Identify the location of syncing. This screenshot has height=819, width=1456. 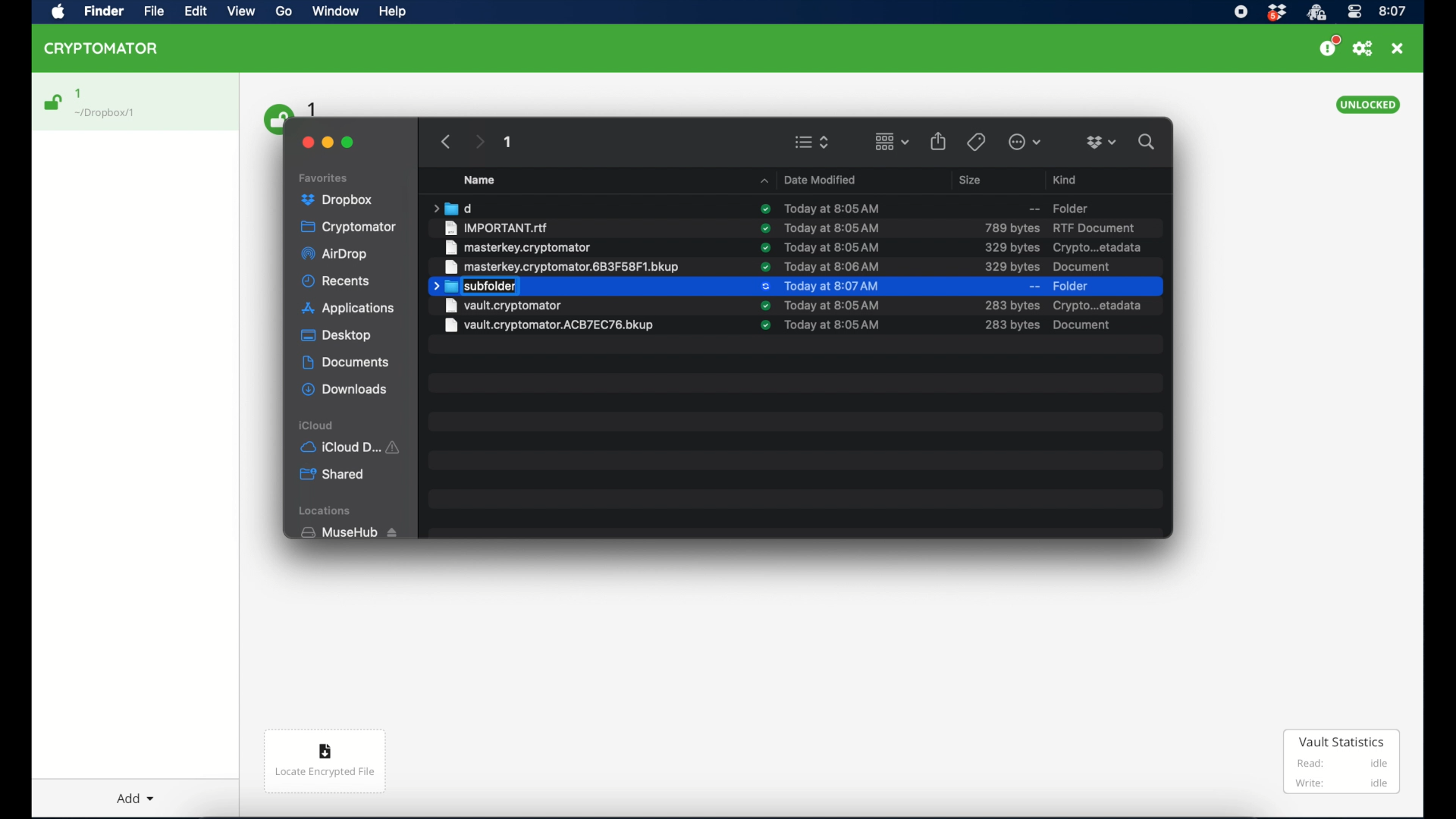
(764, 287).